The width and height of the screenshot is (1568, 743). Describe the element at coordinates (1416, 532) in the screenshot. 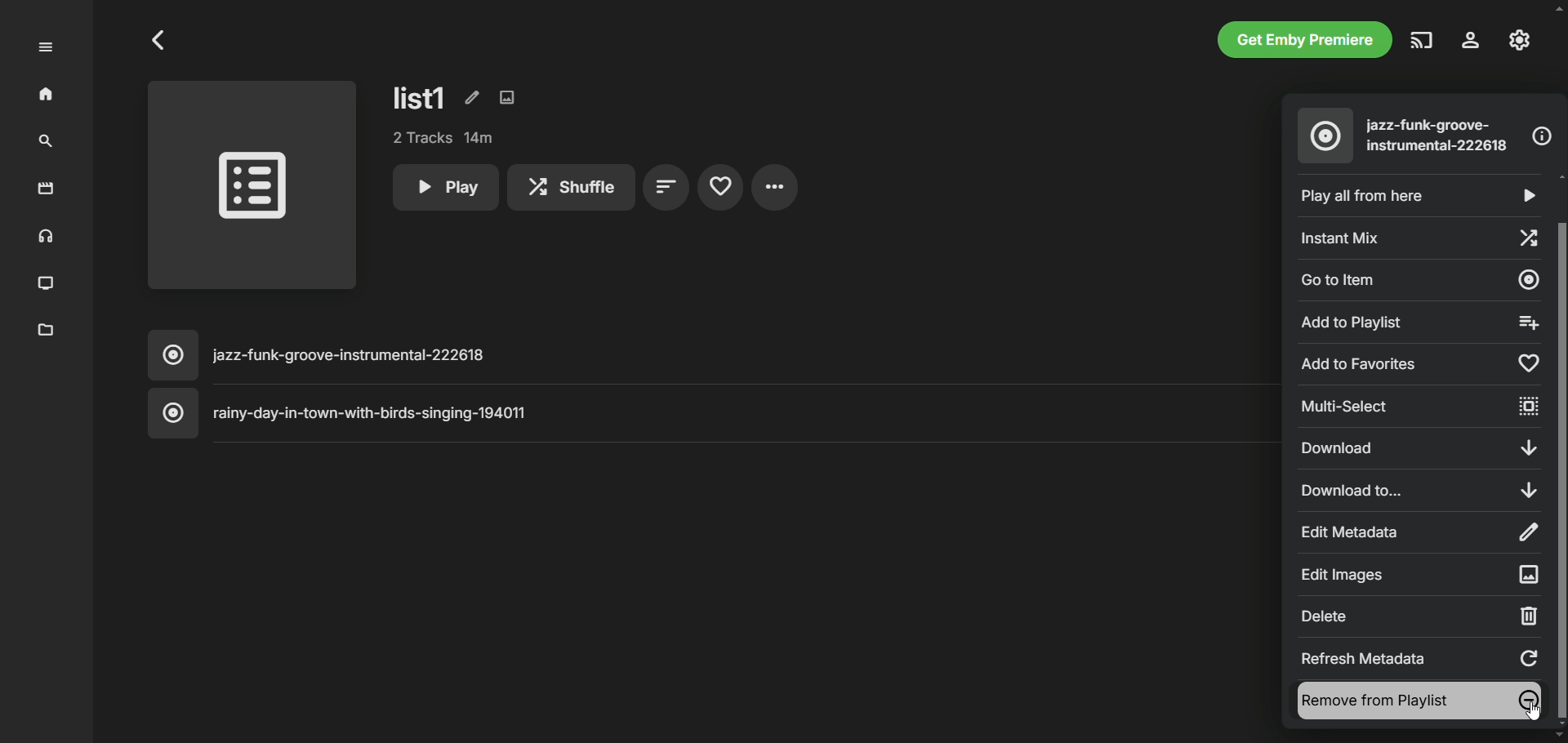

I see `edit metadata` at that location.